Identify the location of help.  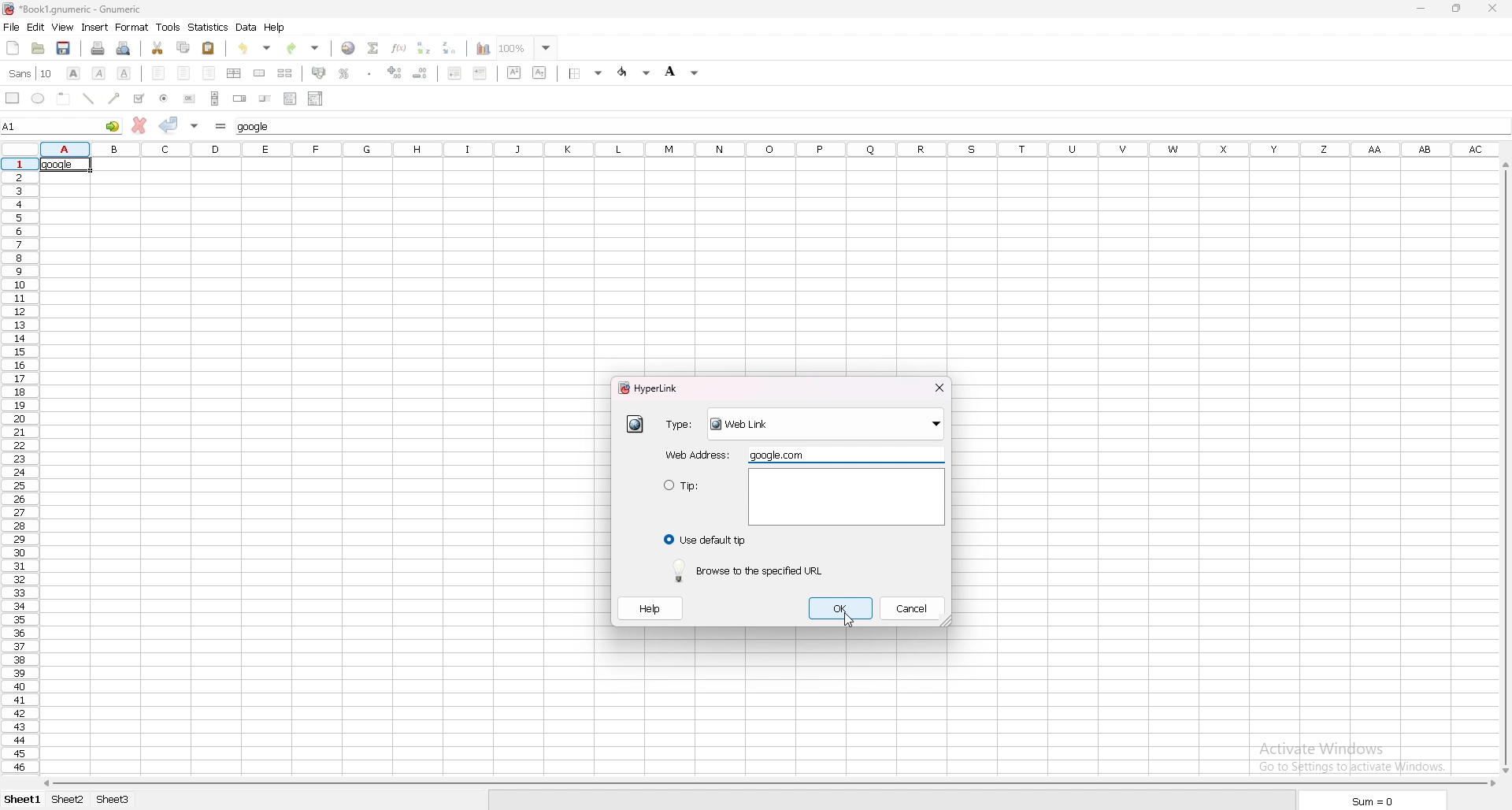
(648, 607).